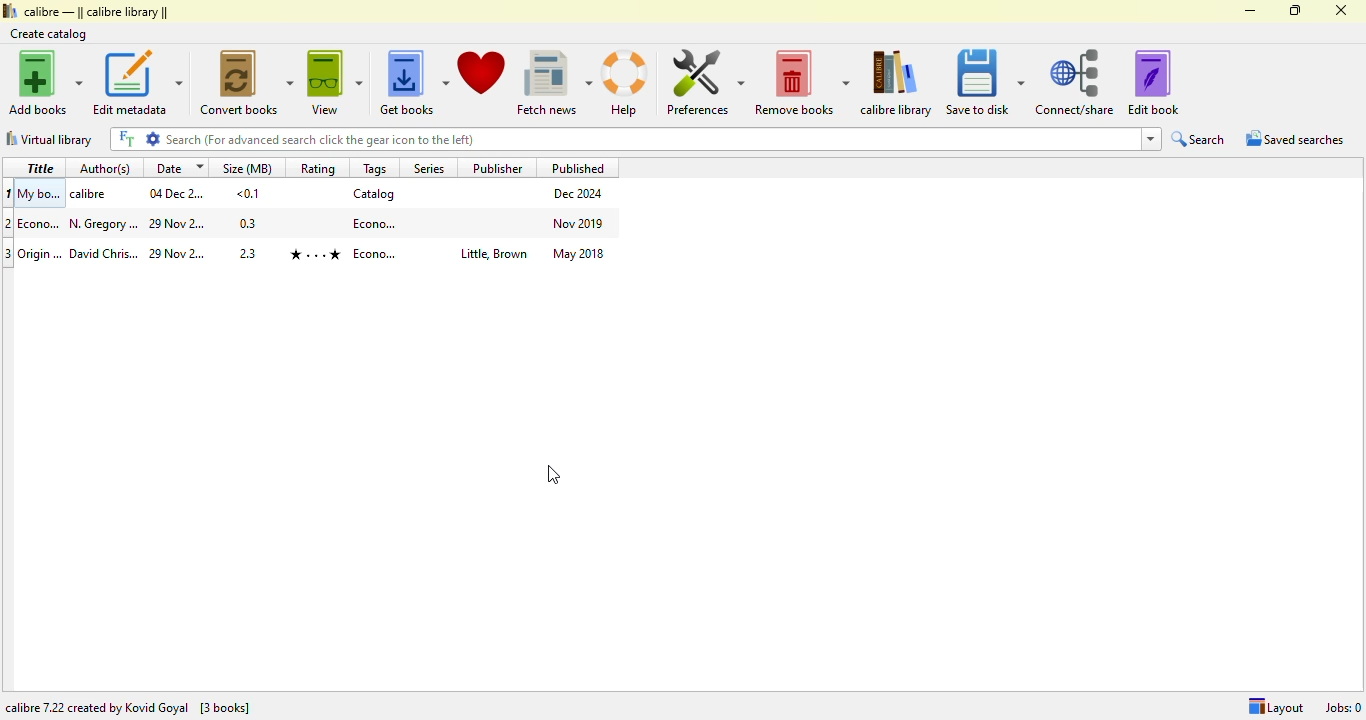 This screenshot has height=720, width=1366. Describe the element at coordinates (498, 167) in the screenshot. I see `publisher` at that location.